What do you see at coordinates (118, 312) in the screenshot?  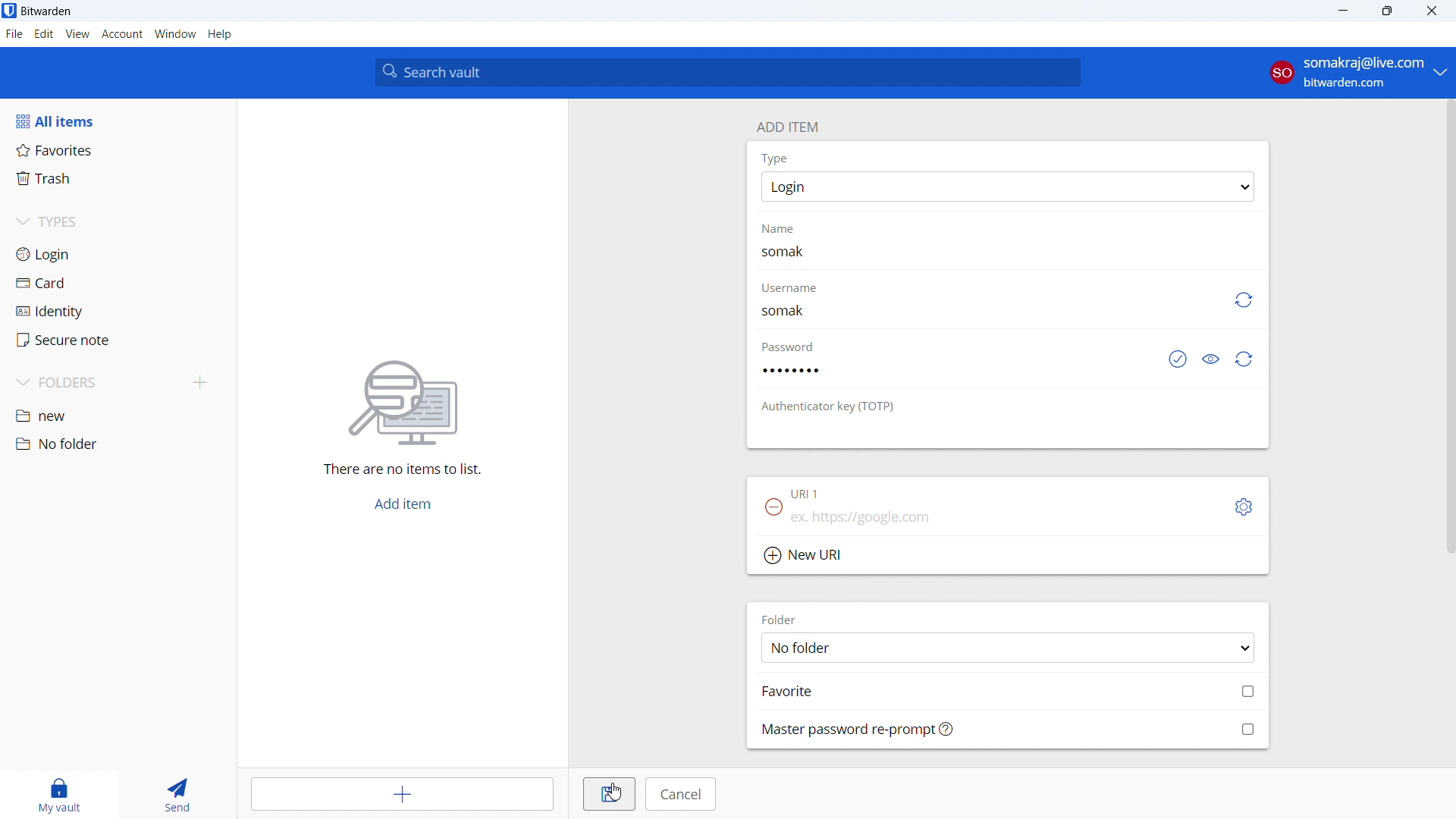 I see `identity` at bounding box center [118, 312].